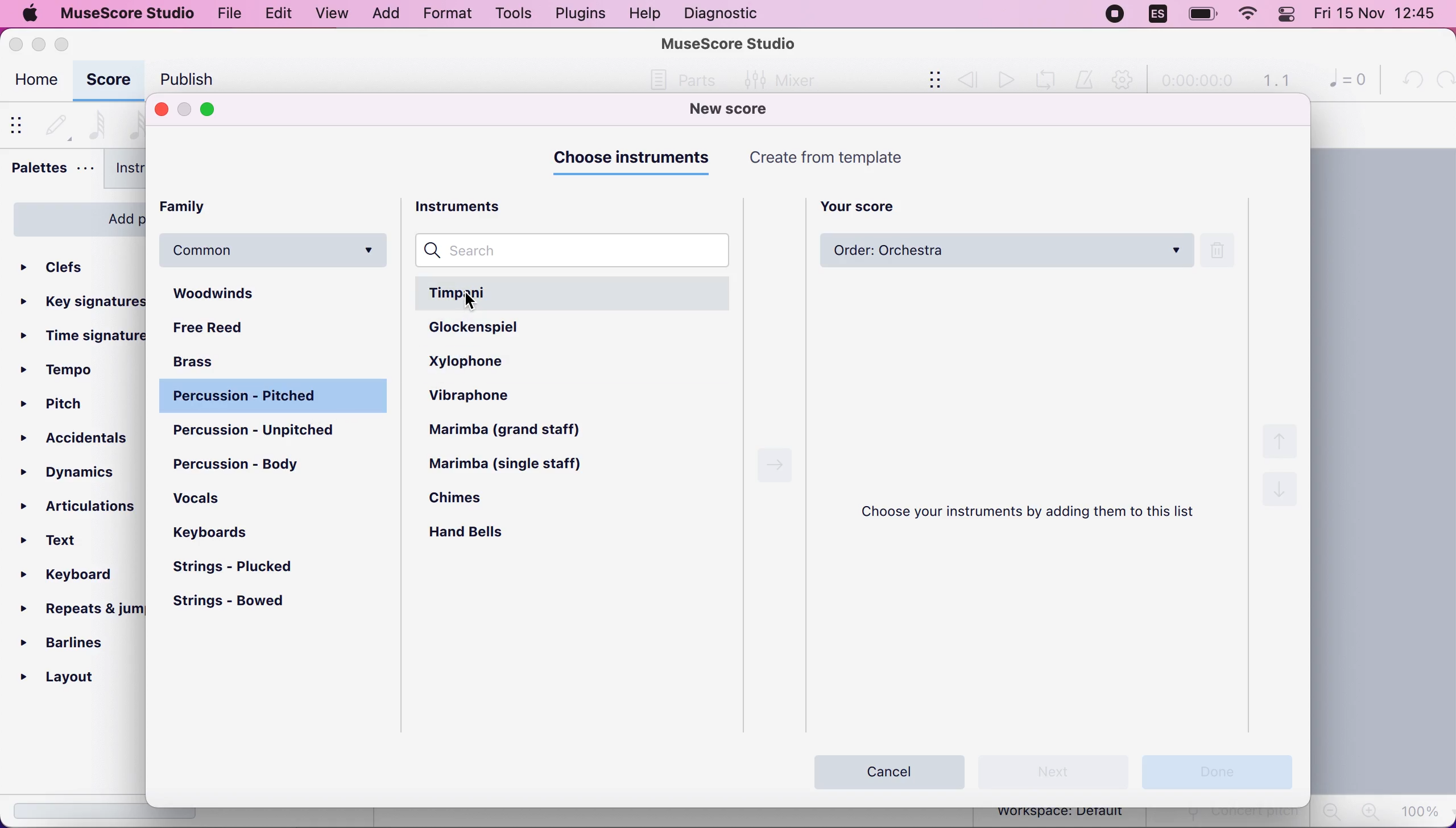 Image resolution: width=1456 pixels, height=828 pixels. Describe the element at coordinates (689, 80) in the screenshot. I see `` at that location.